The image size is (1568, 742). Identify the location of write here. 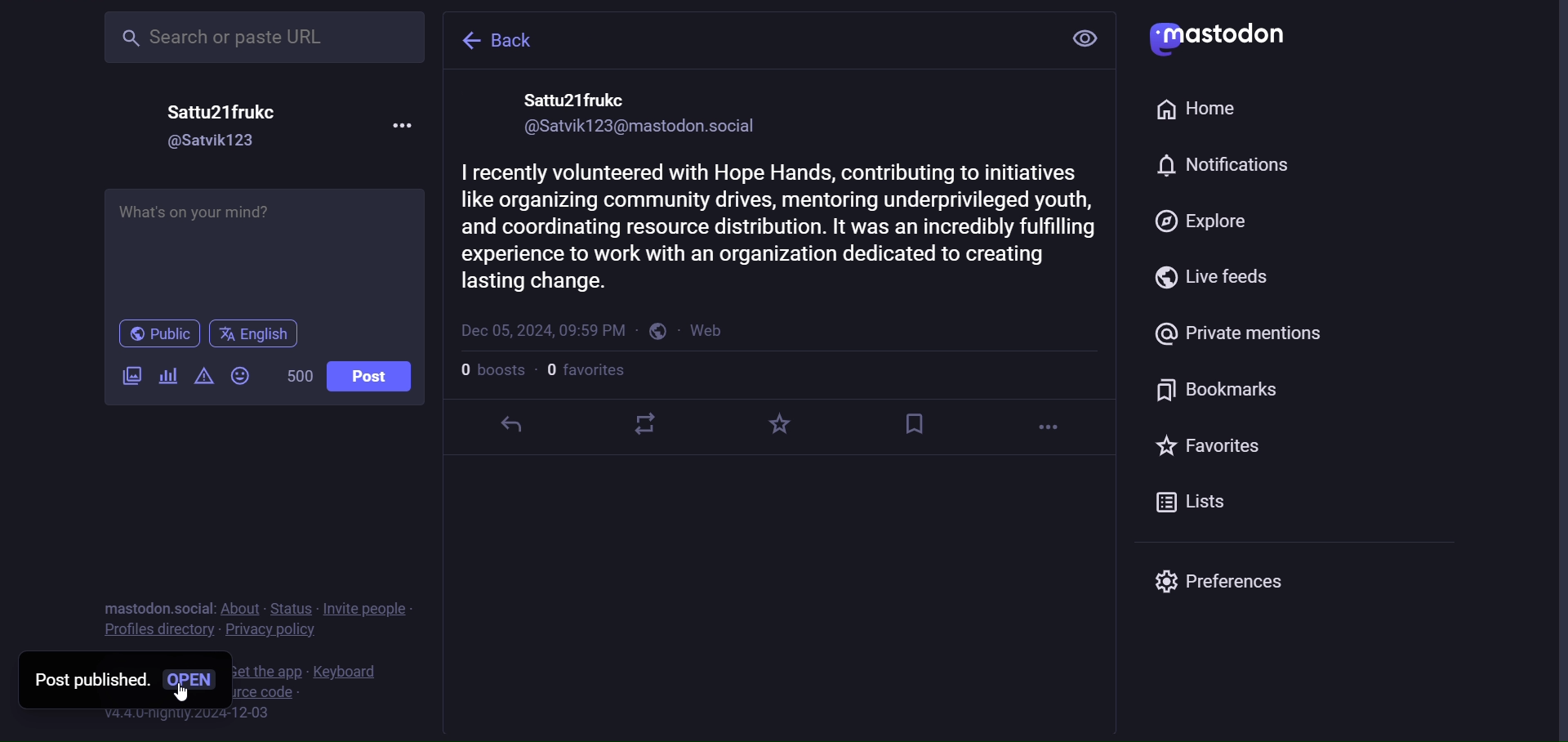
(265, 247).